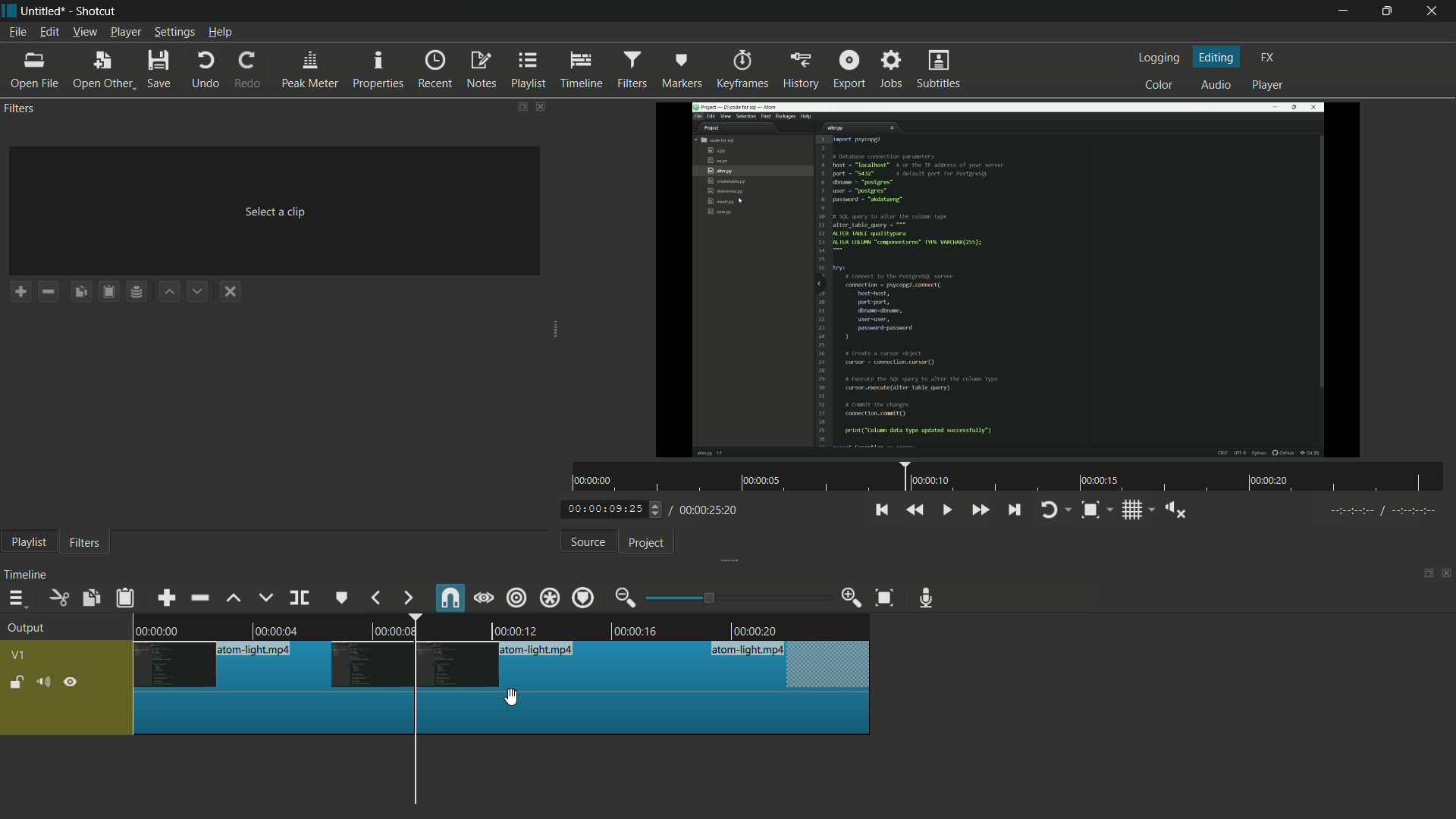 The image size is (1456, 819). I want to click on next marker, so click(407, 598).